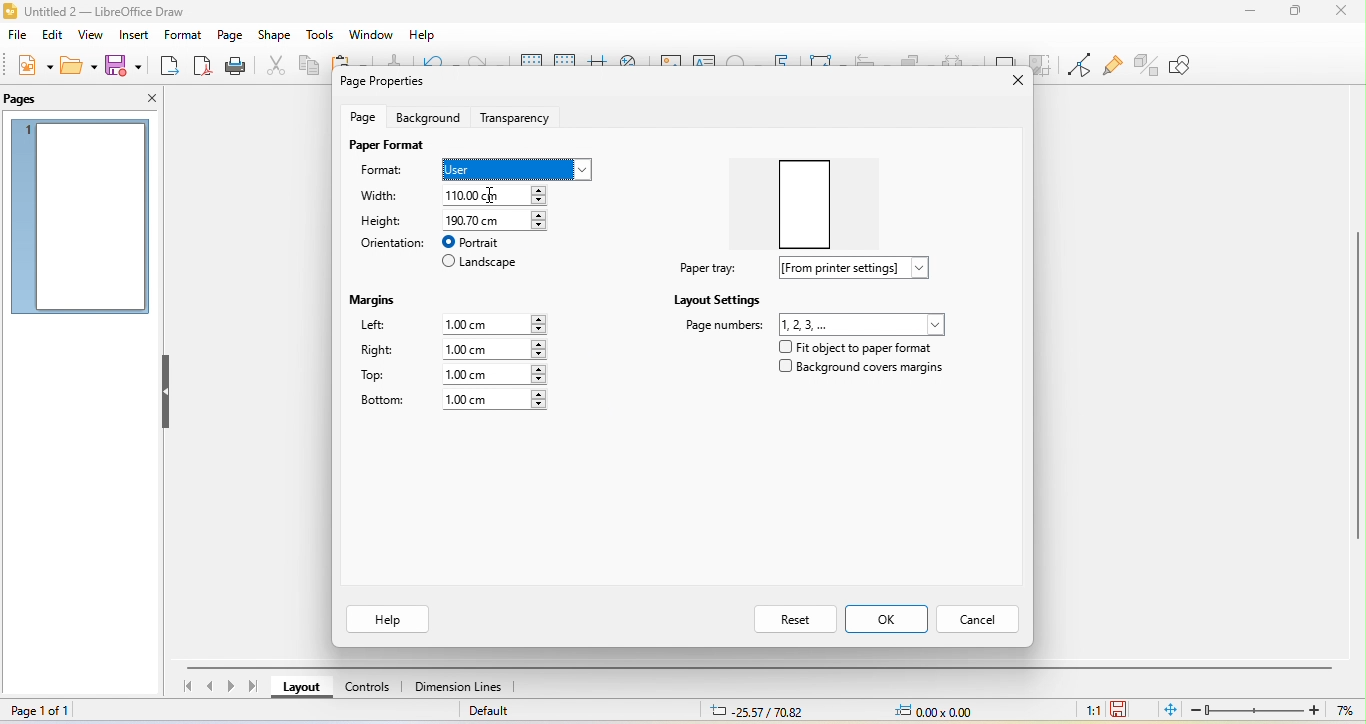 Image resolution: width=1366 pixels, height=724 pixels. I want to click on first page, so click(185, 689).